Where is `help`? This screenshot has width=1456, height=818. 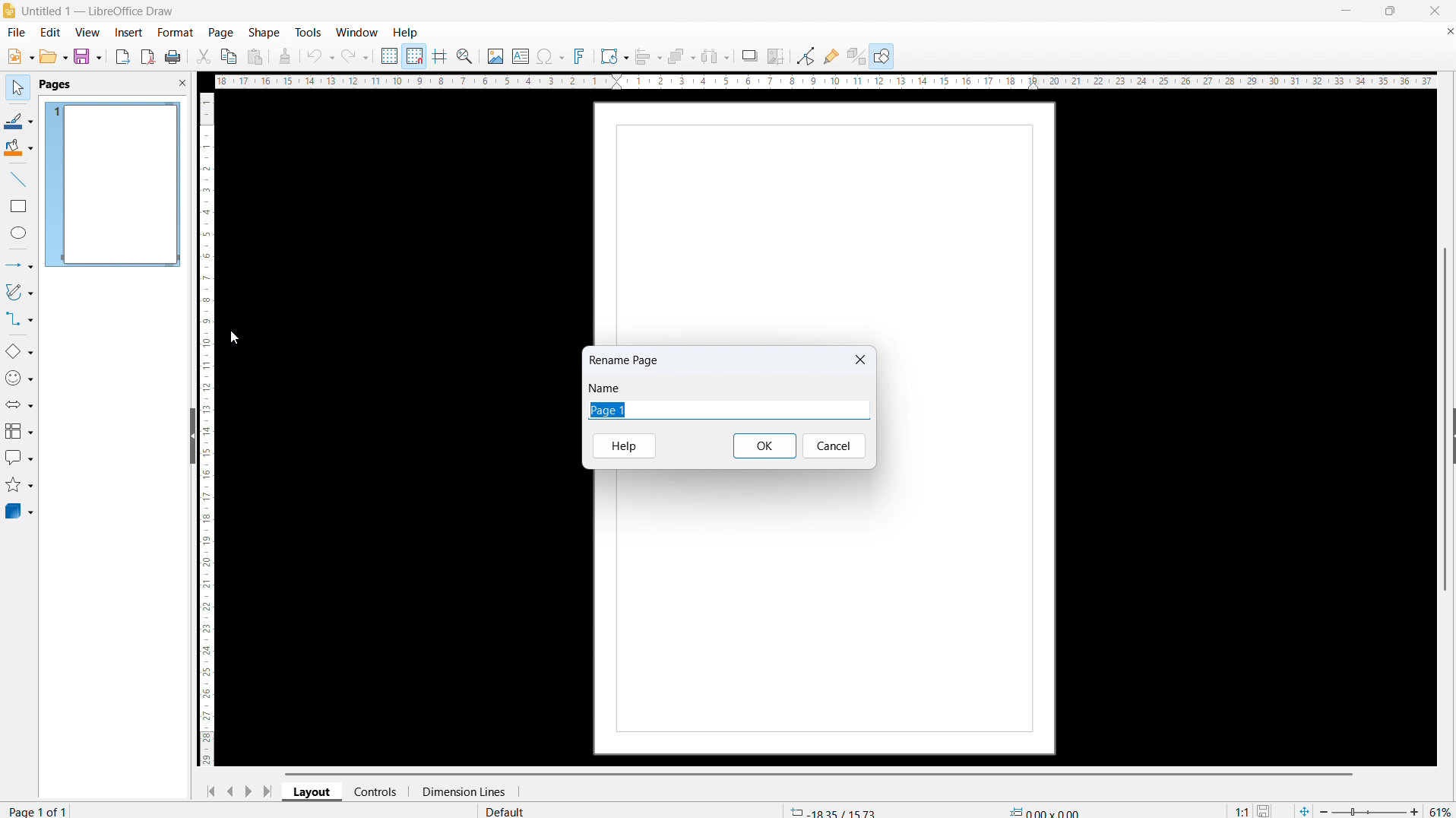
help is located at coordinates (406, 33).